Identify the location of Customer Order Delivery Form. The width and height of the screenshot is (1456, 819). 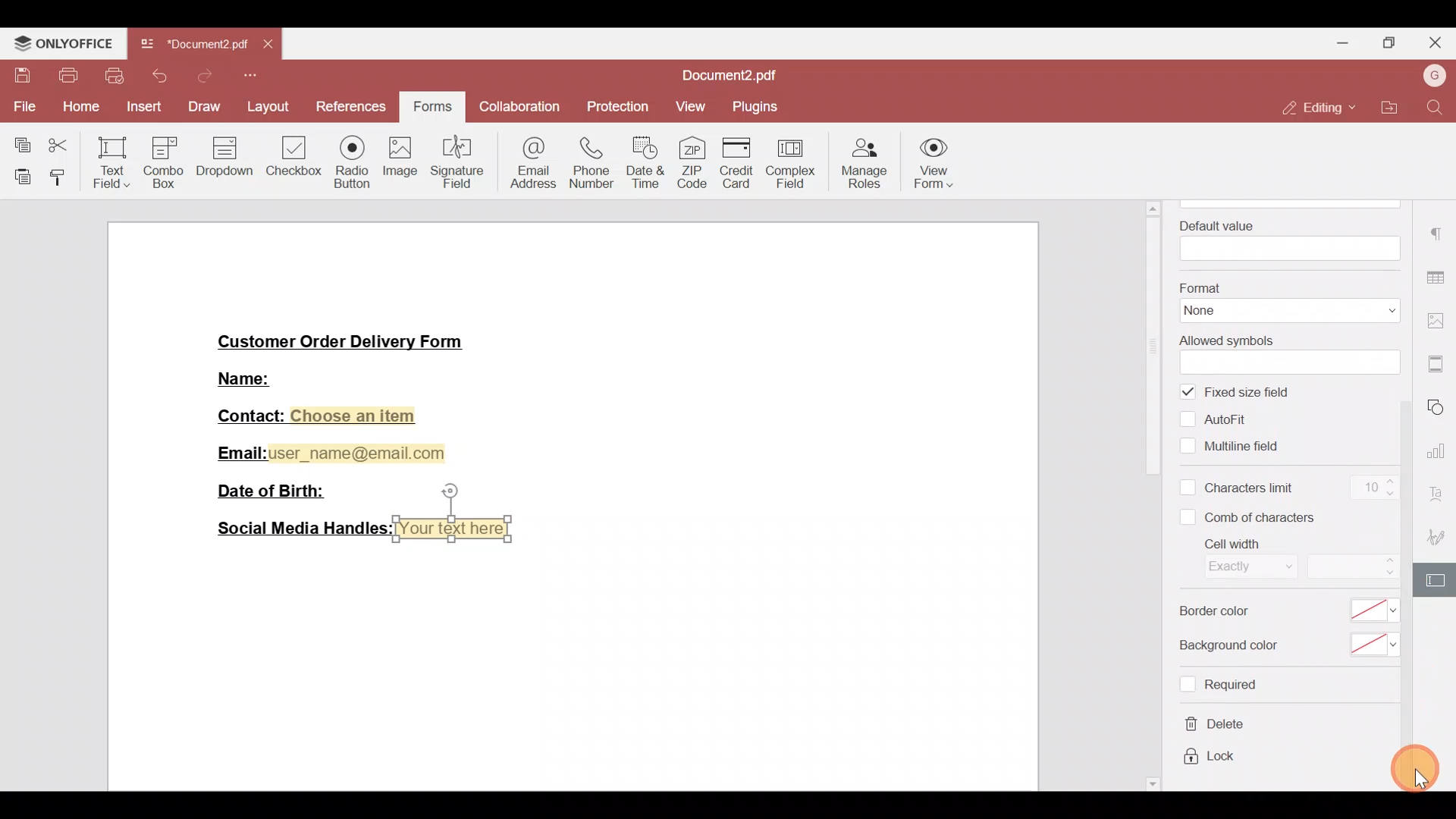
(351, 340).